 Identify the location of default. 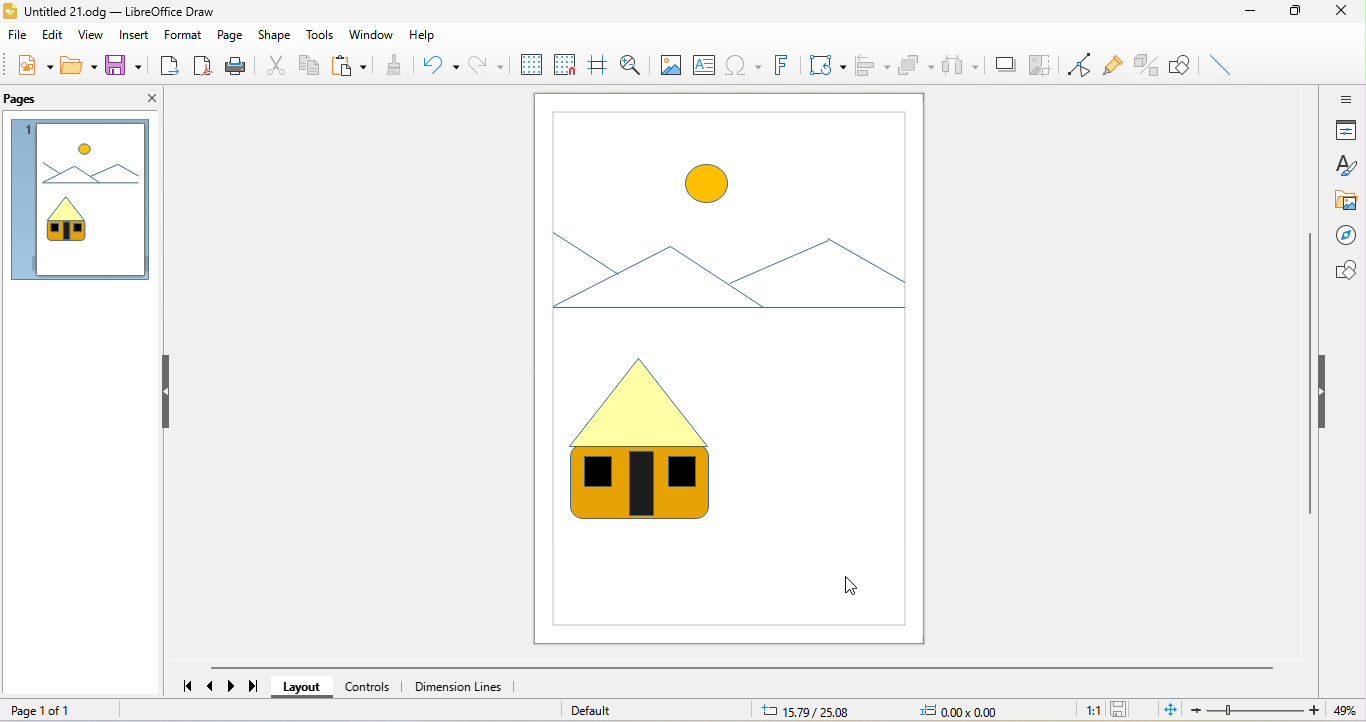
(593, 710).